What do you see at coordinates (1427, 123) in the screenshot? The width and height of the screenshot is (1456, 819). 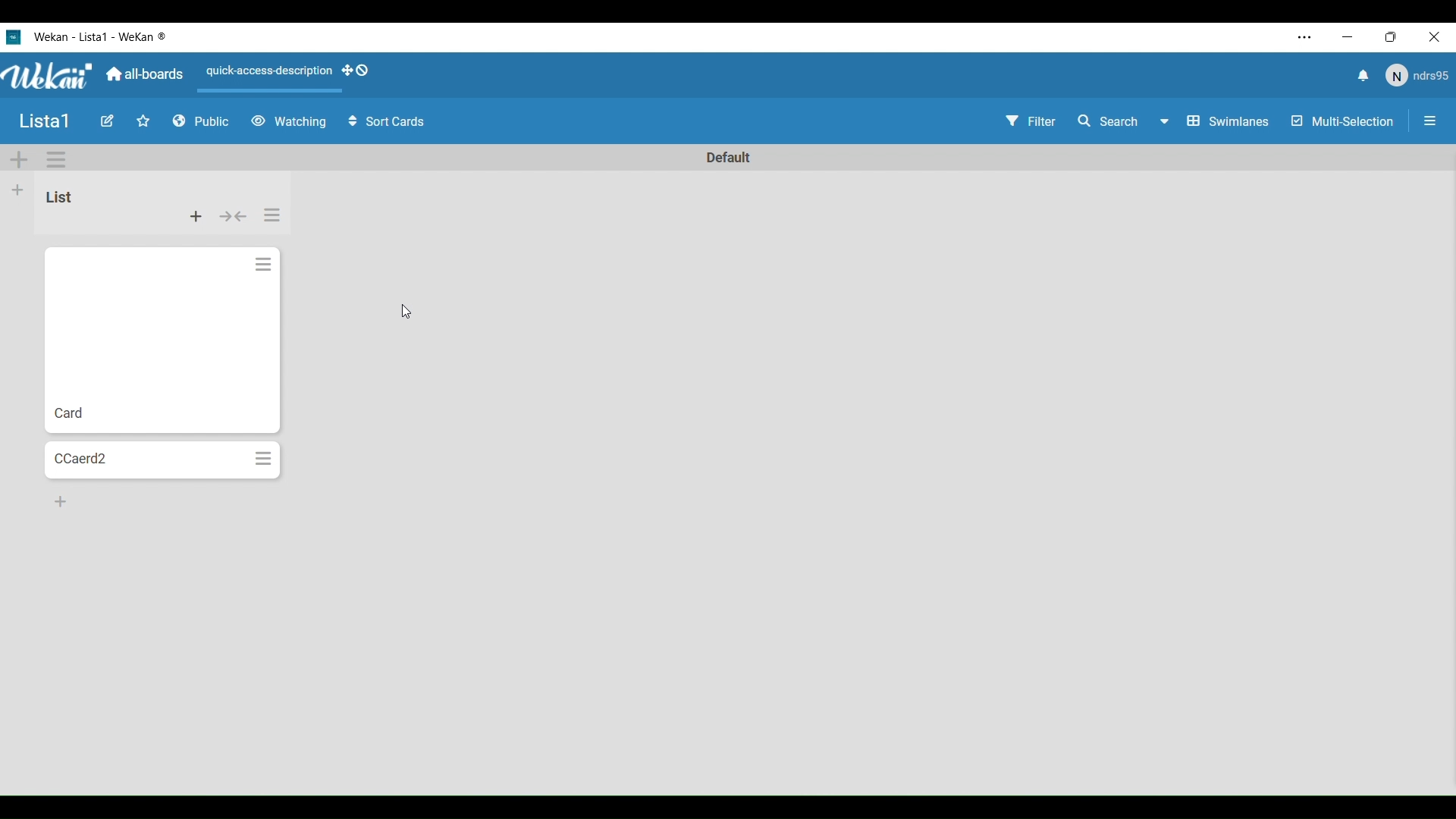 I see `Option` at bounding box center [1427, 123].